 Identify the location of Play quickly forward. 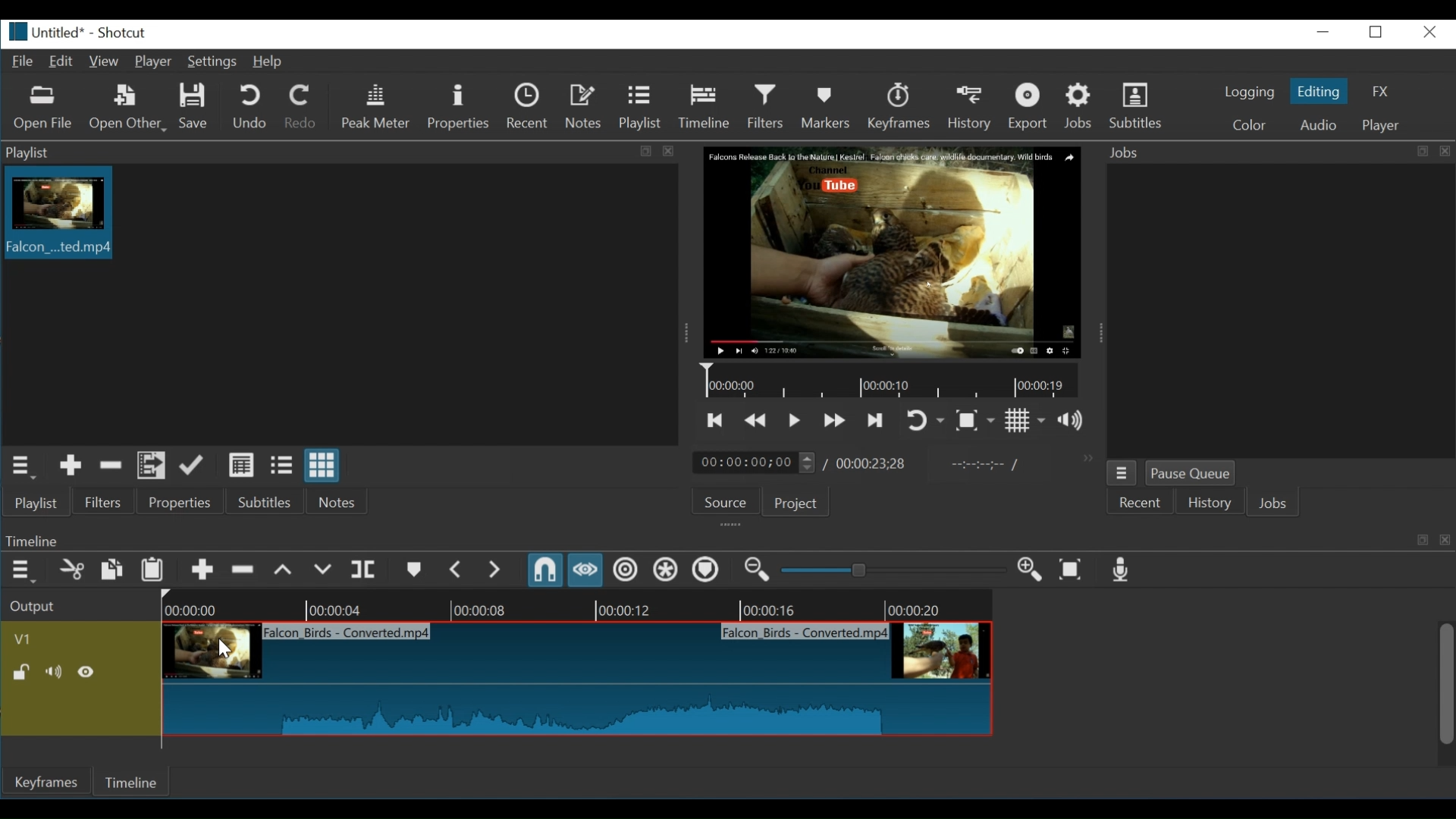
(835, 419).